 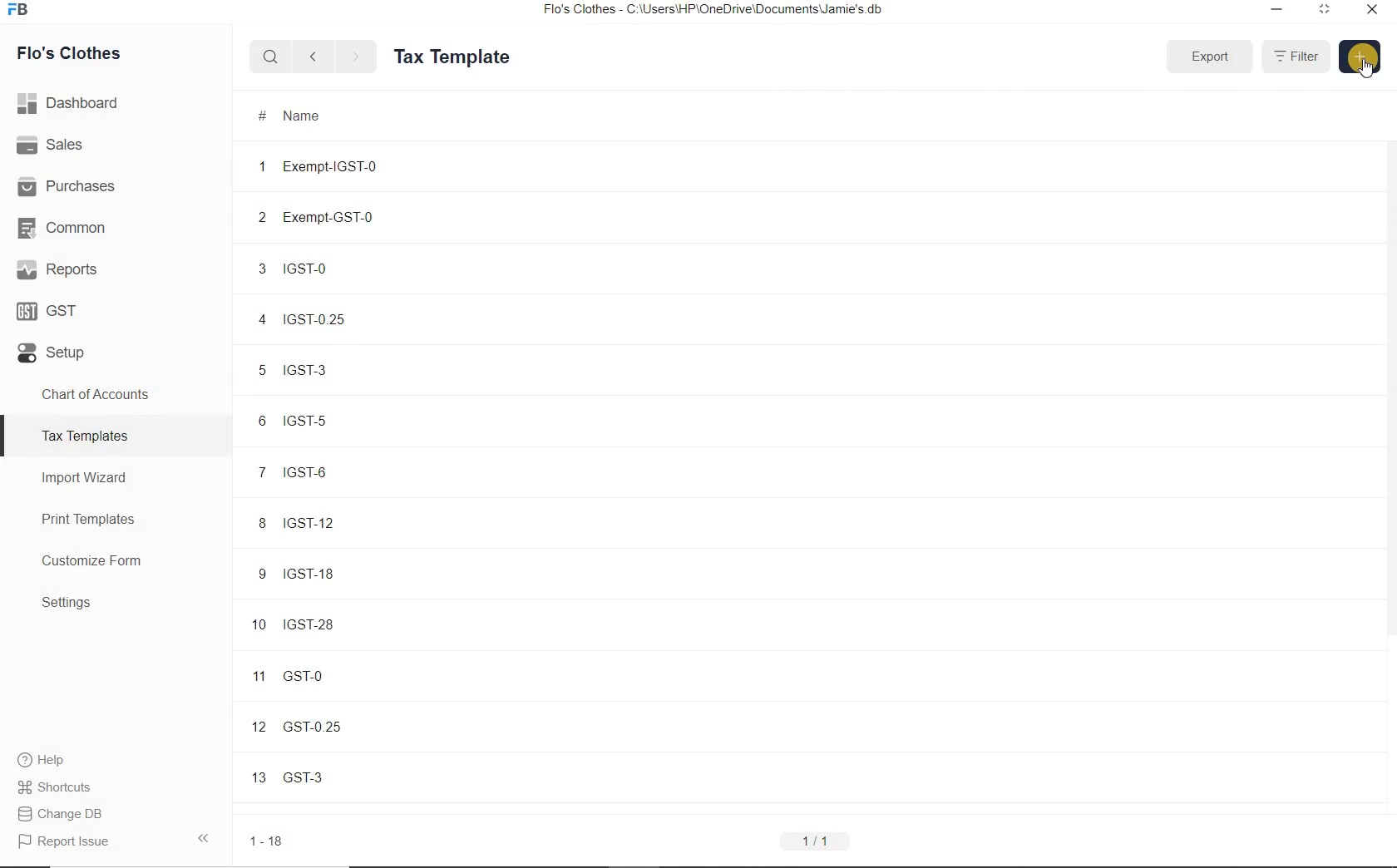 I want to click on Tax Template, so click(x=452, y=57).